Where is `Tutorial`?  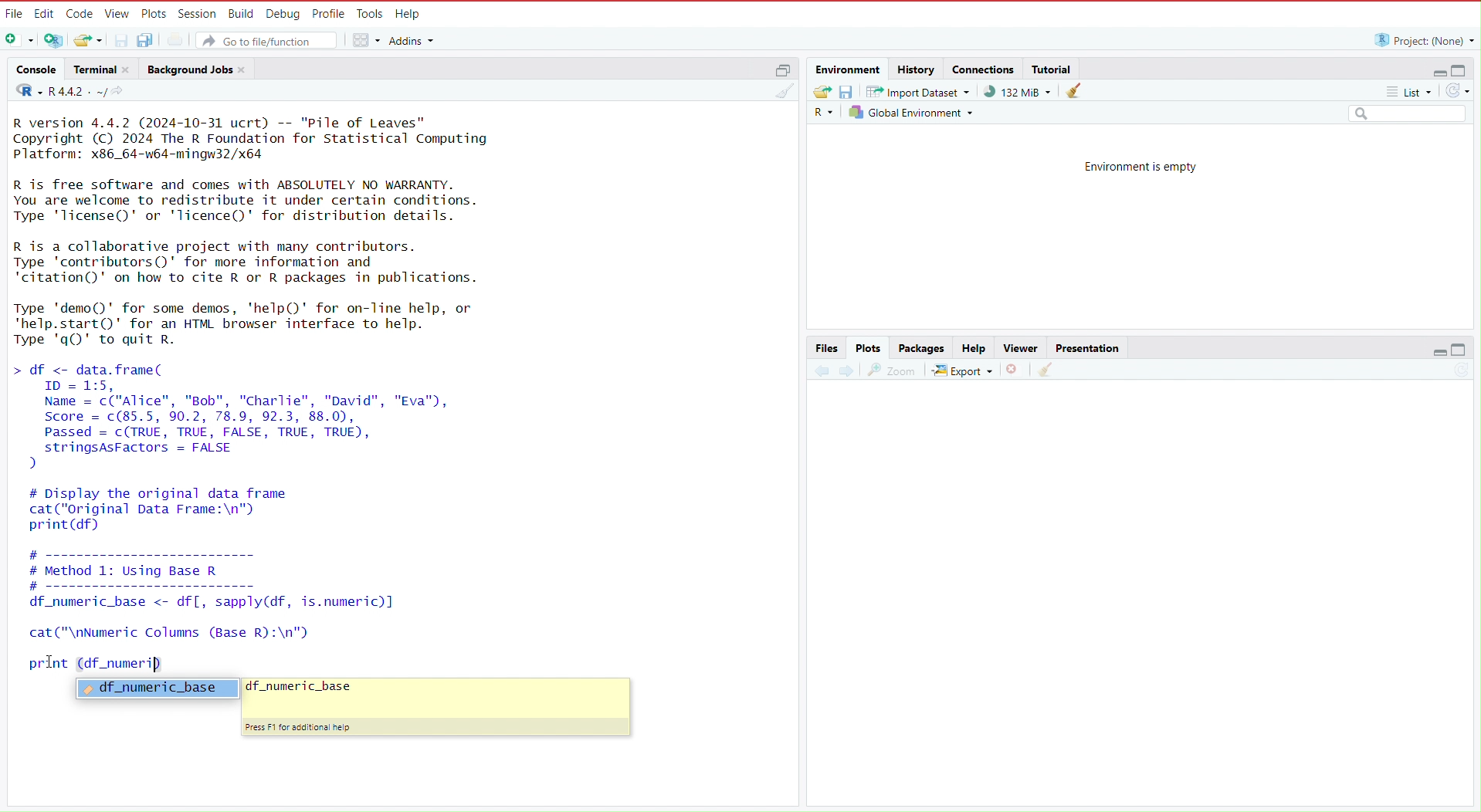 Tutorial is located at coordinates (1054, 69).